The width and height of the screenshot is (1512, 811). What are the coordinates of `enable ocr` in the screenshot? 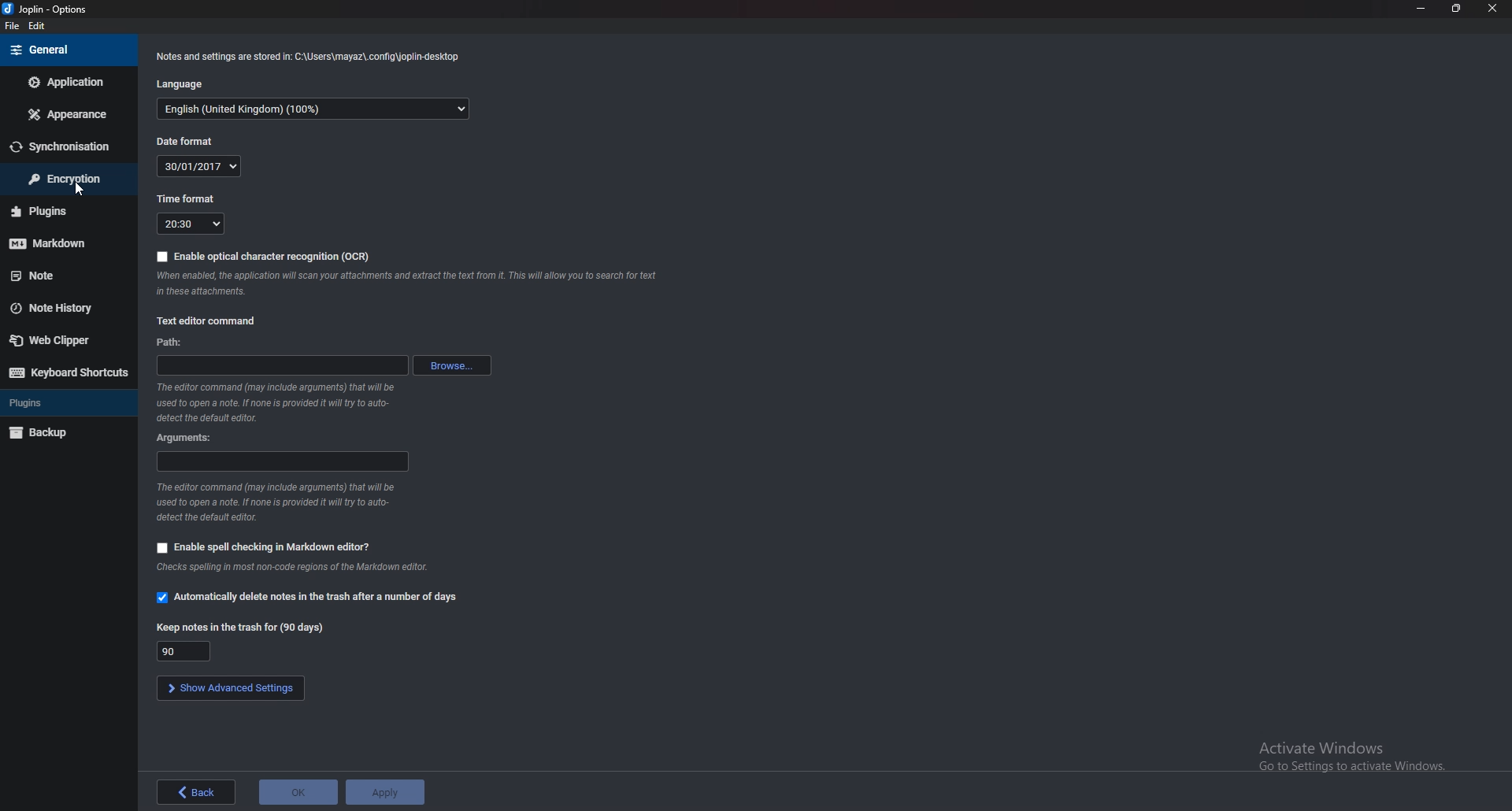 It's located at (269, 257).